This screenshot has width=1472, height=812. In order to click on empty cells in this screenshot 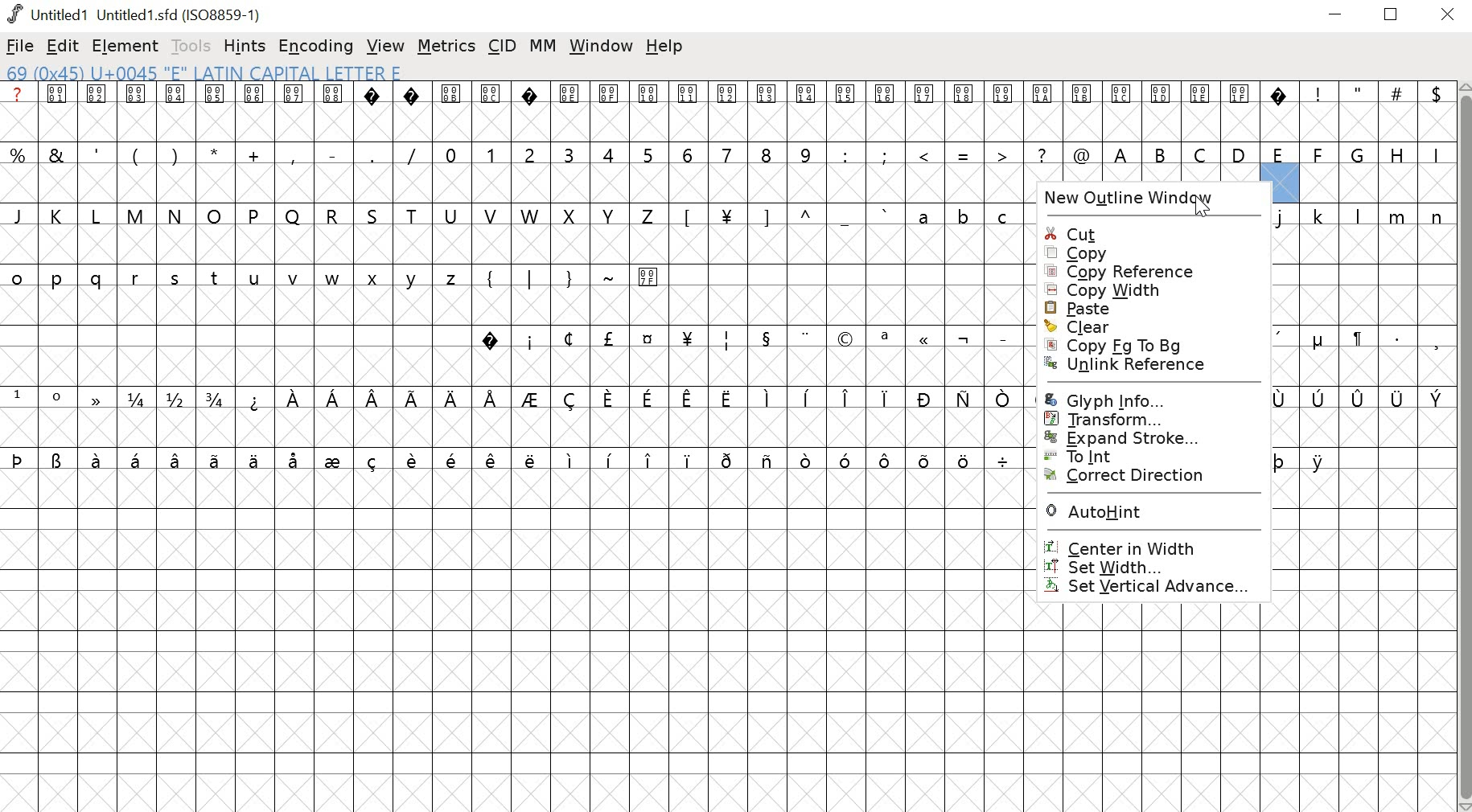, I will do `click(515, 642)`.